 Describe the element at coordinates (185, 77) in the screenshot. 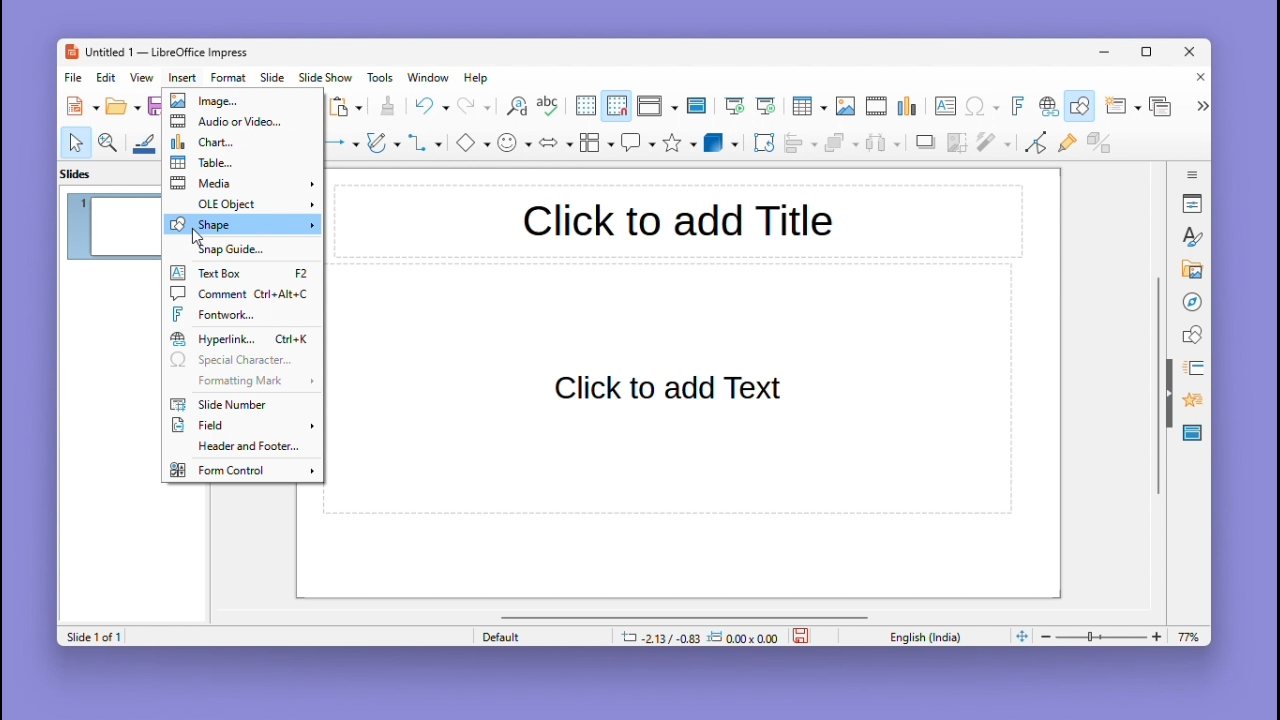

I see `Insert` at that location.